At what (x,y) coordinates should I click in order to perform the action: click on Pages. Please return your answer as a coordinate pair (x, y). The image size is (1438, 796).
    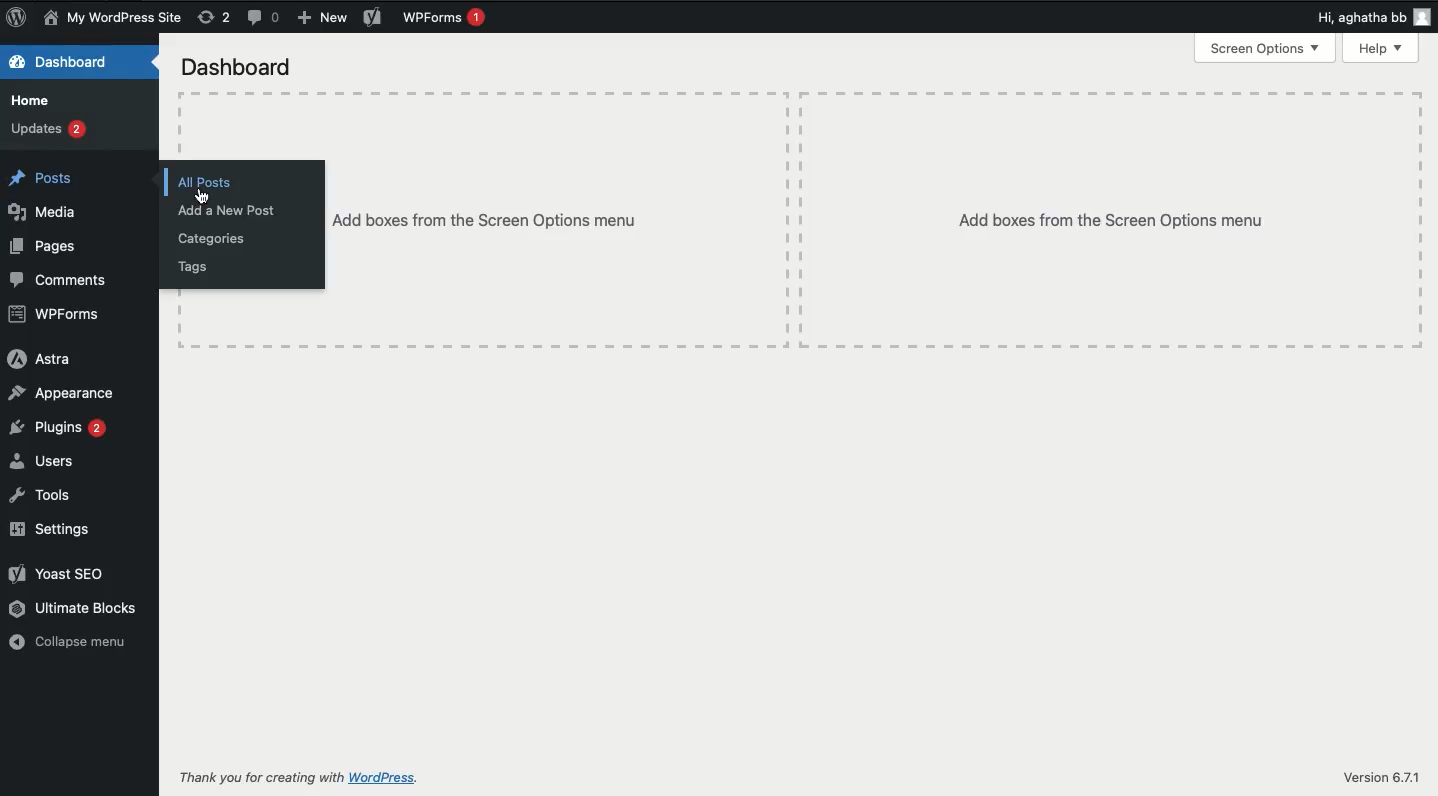
    Looking at the image, I should click on (44, 246).